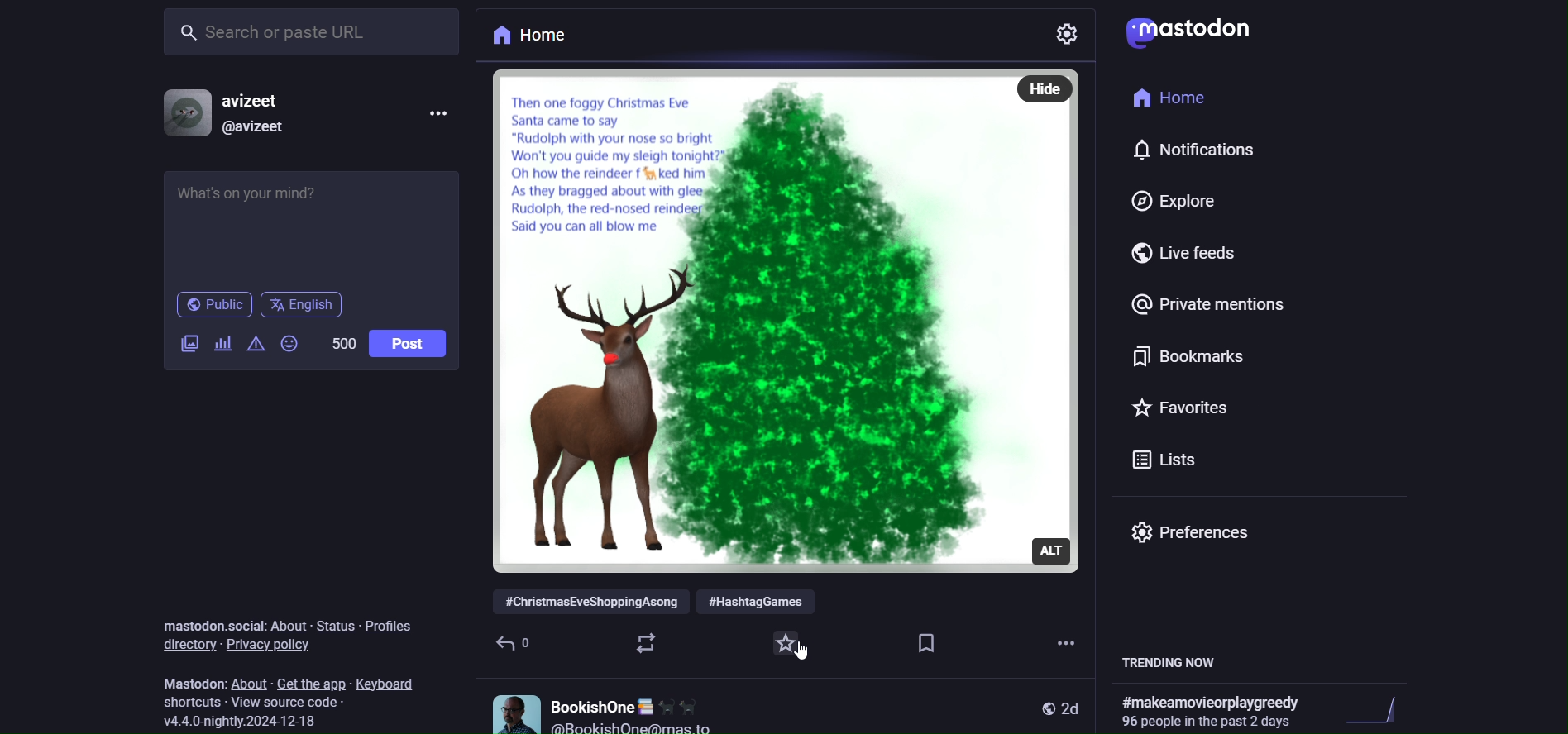  I want to click on BookishOne, so click(631, 702).